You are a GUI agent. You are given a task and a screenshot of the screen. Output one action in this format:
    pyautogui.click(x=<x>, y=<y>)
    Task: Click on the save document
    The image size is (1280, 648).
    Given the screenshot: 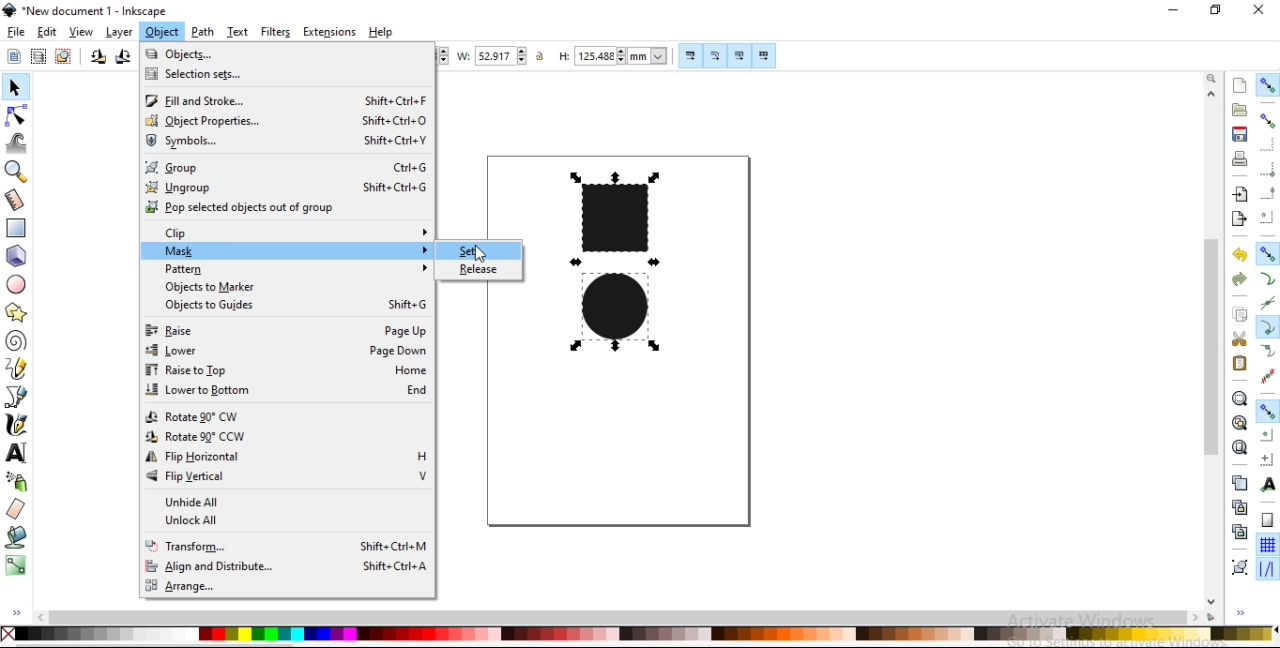 What is the action you would take?
    pyautogui.click(x=1239, y=133)
    